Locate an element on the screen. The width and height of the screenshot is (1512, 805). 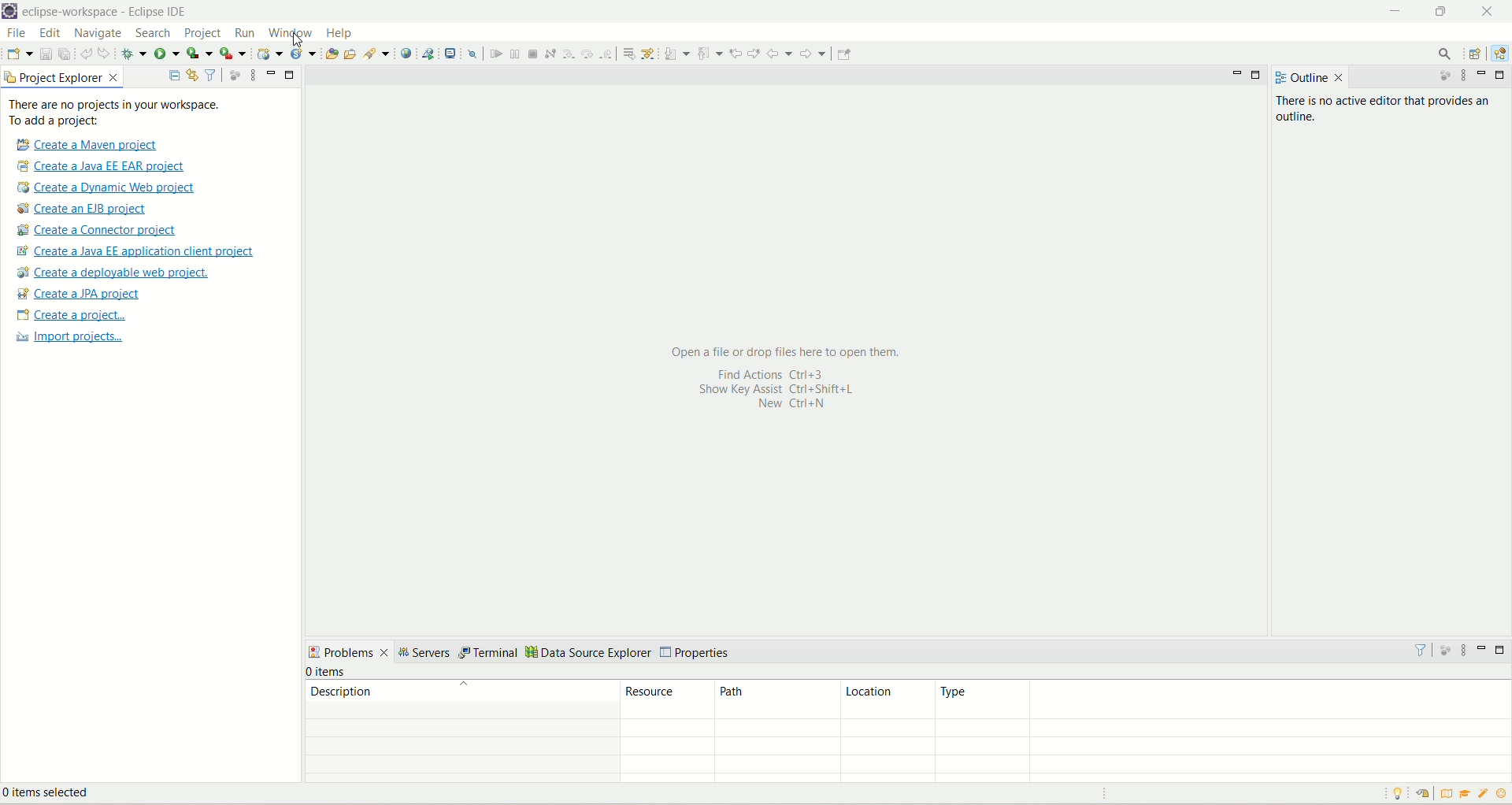
minimize is located at coordinates (1395, 13).